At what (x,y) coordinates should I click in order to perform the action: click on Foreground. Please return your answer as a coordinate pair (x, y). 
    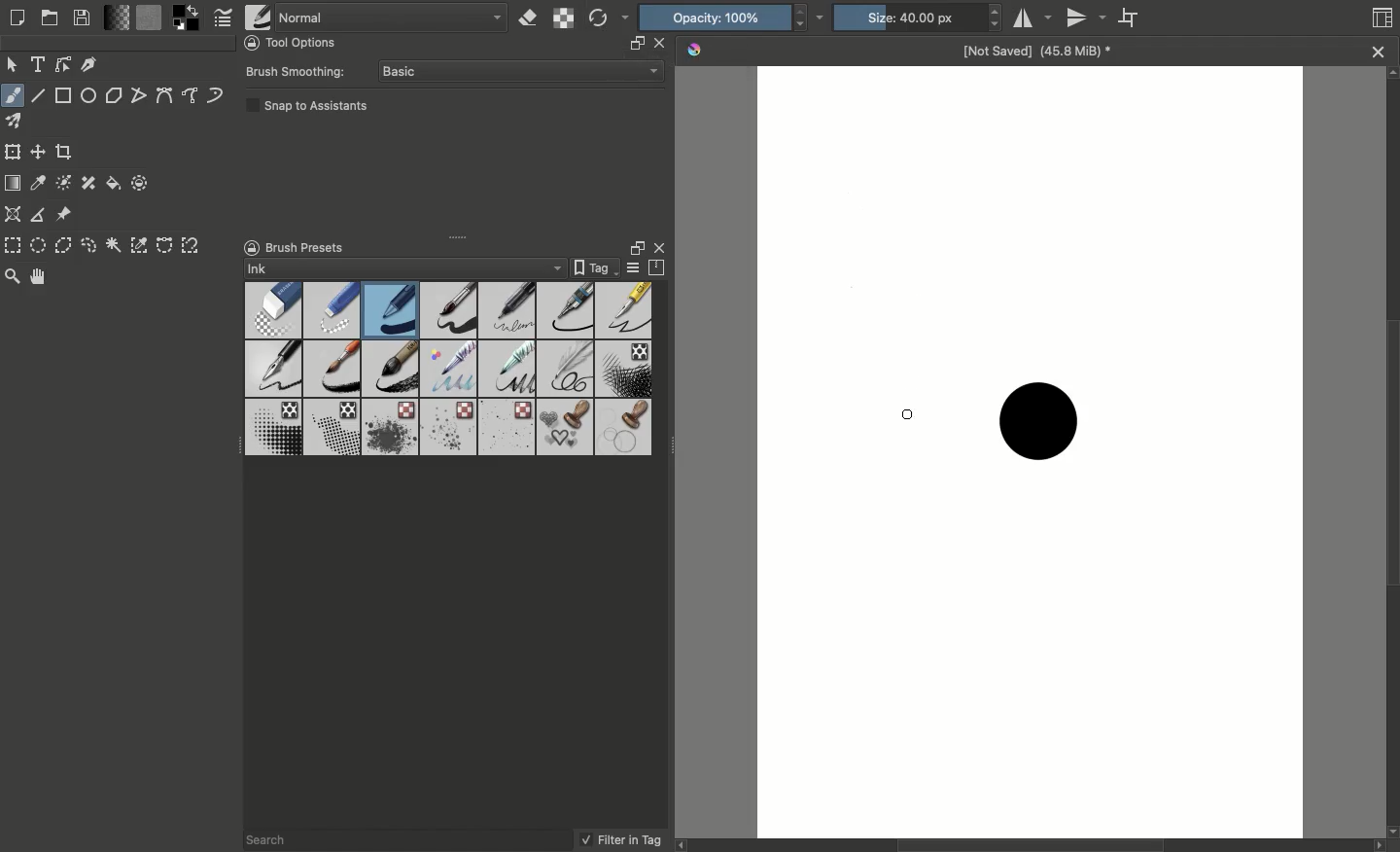
    Looking at the image, I should click on (191, 18).